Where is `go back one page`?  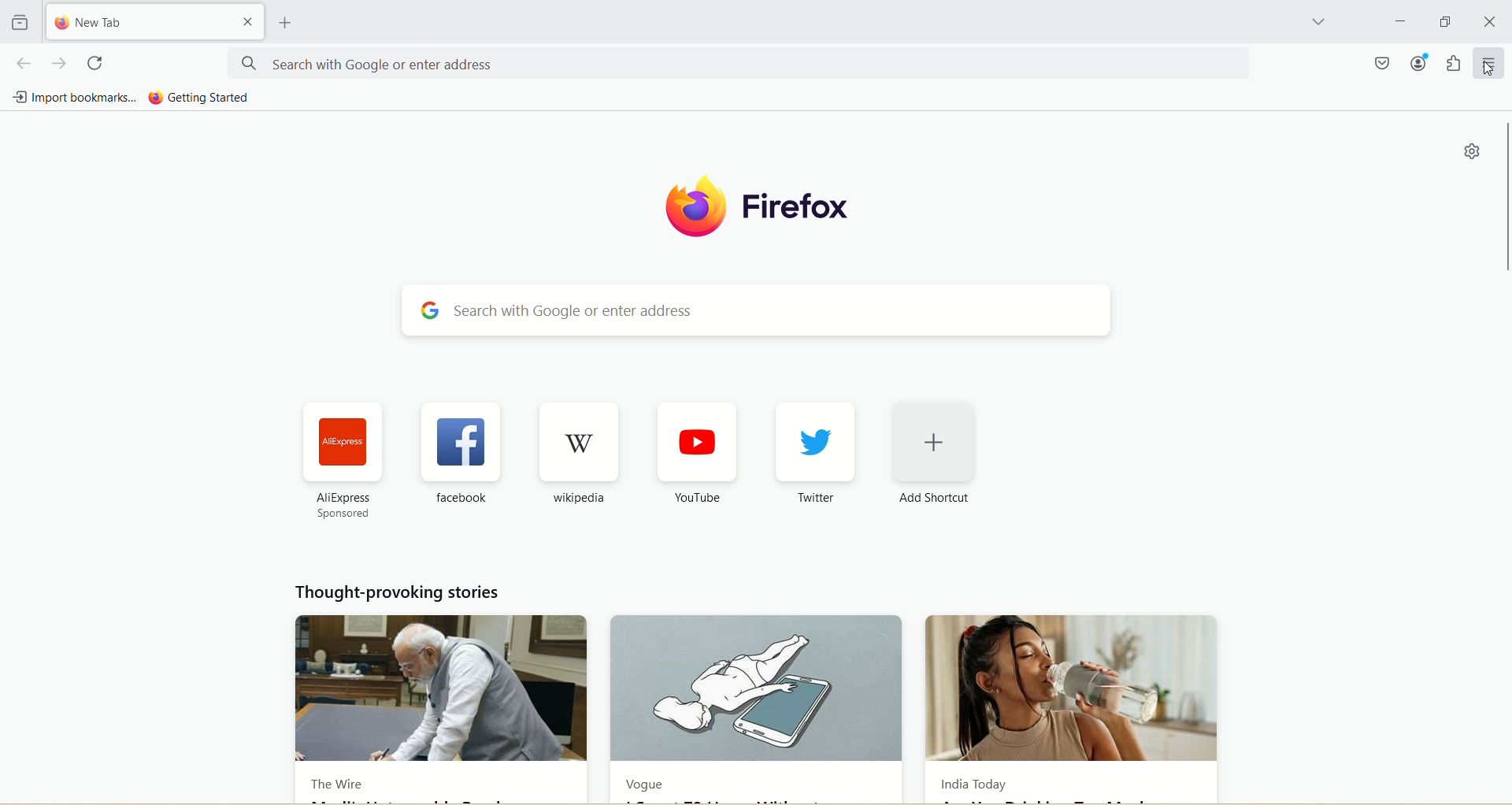 go back one page is located at coordinates (25, 63).